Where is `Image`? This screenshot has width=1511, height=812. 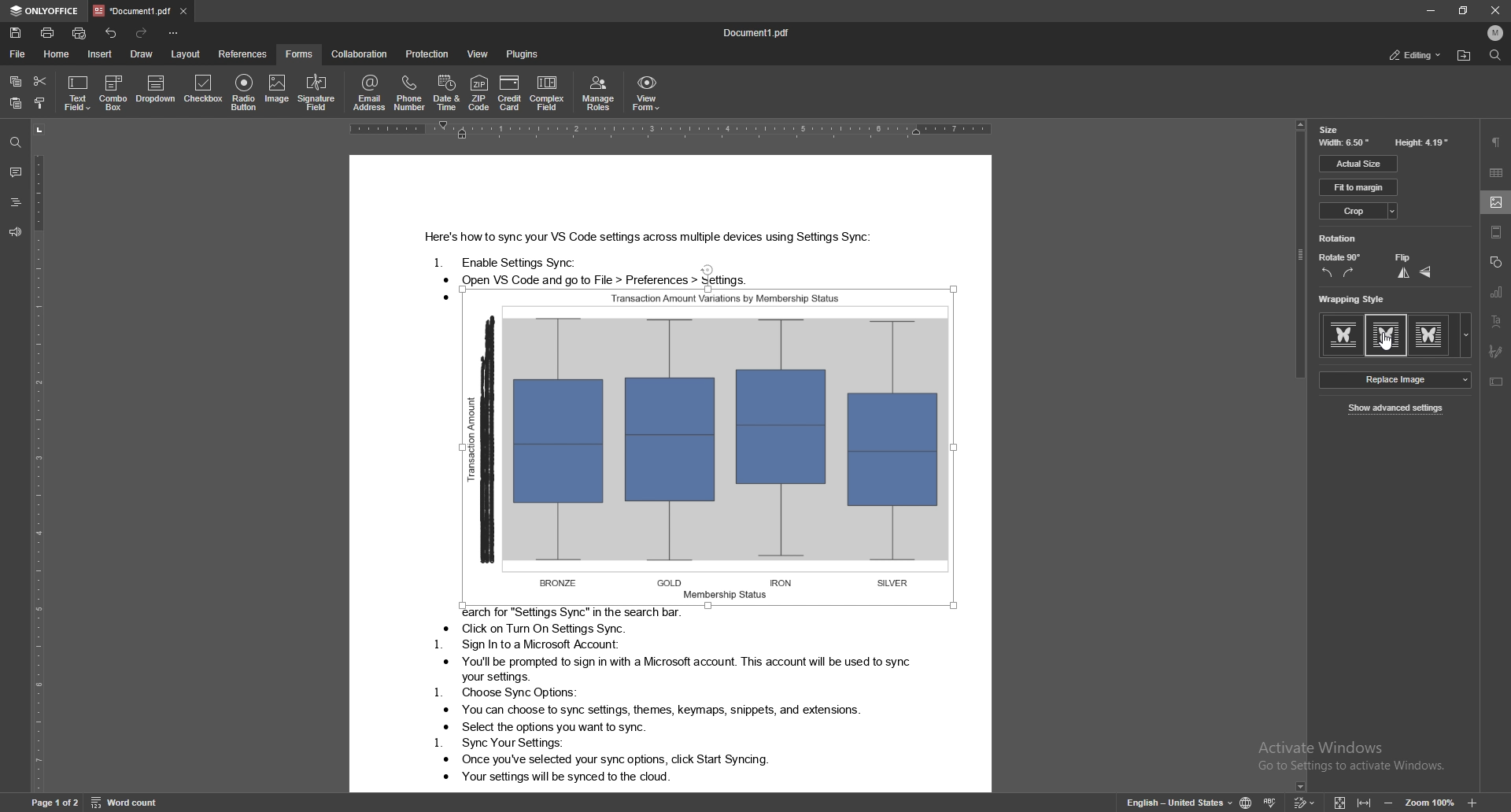 Image is located at coordinates (707, 446).